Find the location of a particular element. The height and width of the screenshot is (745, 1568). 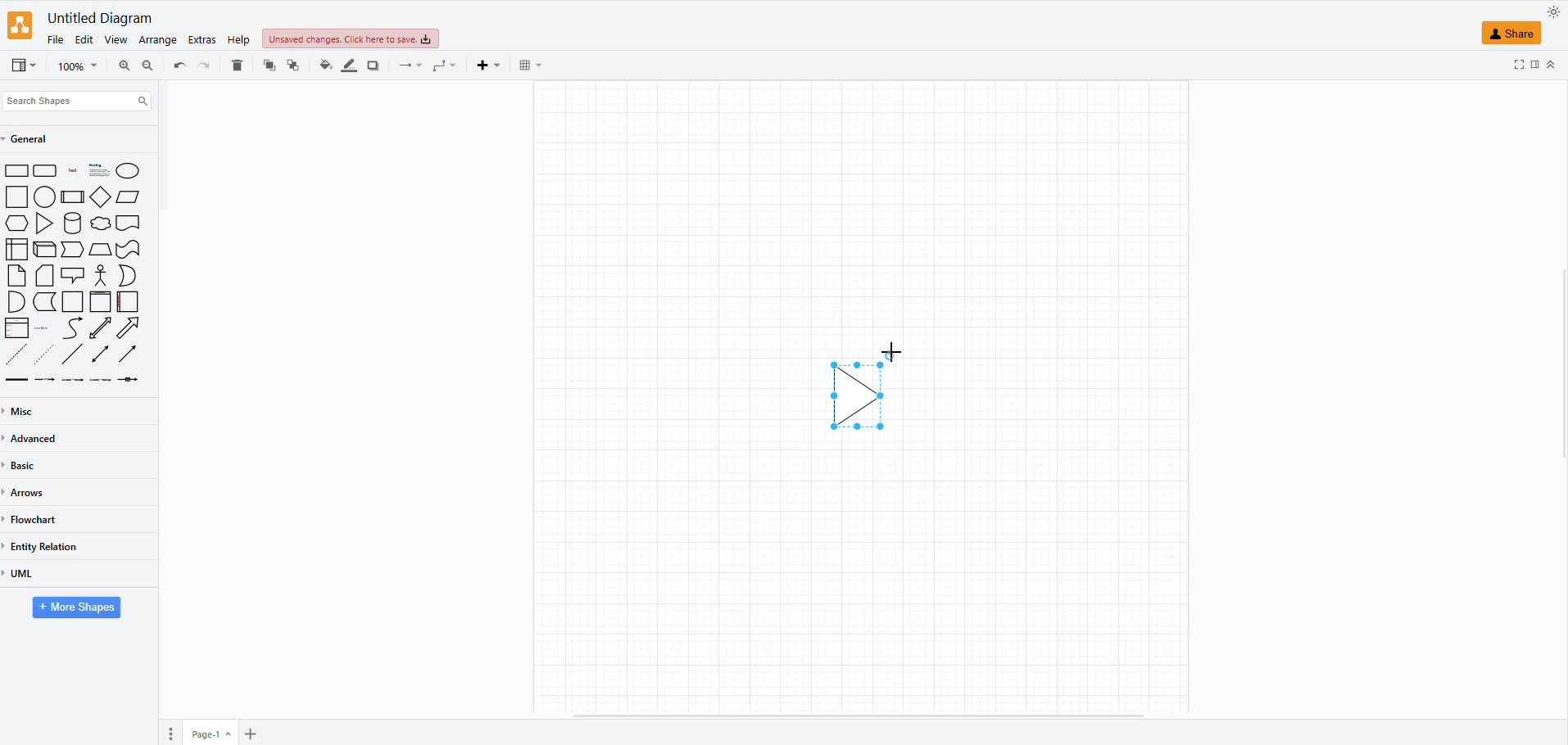

shape is located at coordinates (1520, 34).